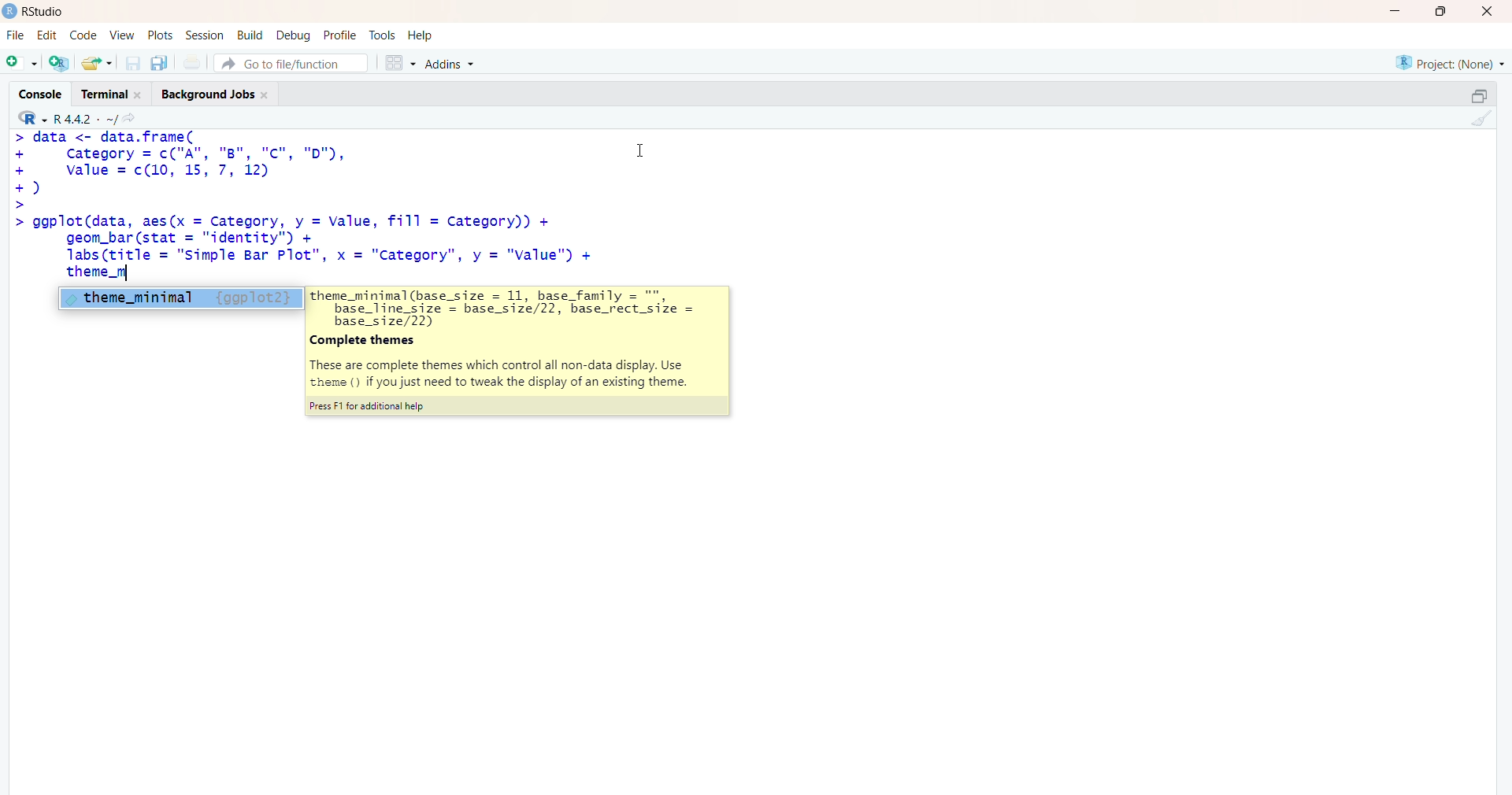 This screenshot has height=795, width=1512. Describe the element at coordinates (520, 352) in the screenshot. I see `suggested - ‘theme_minimal(base_size = 11, base family = "",base_line_size = base_size/22, base_rect_size =base_size/22)Complete themesThese are complete themes which control all non-data display. Usetheme () if you just need to tweak the display of an existing theme.Press F1 for additional help.` at that location.